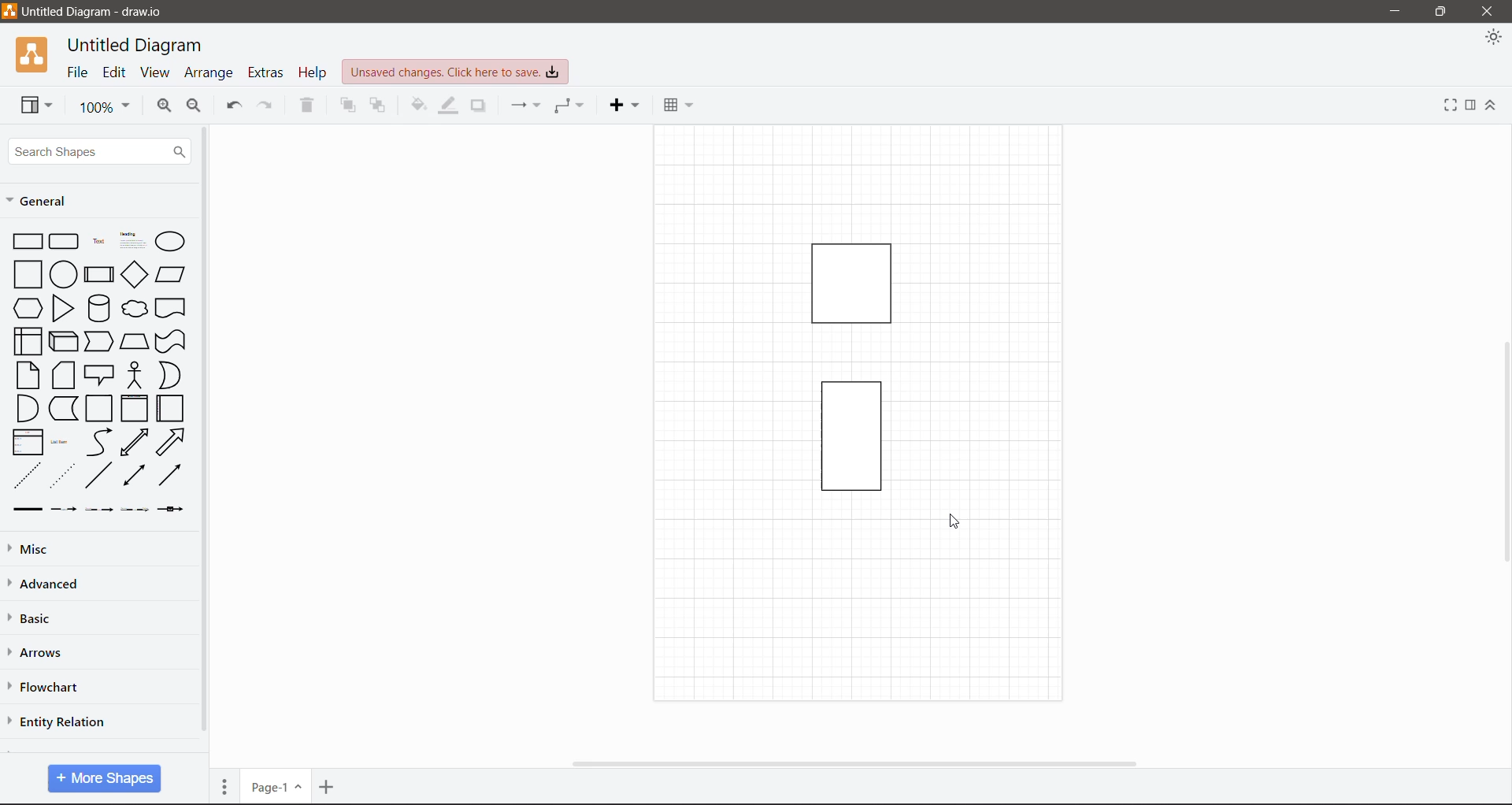 The width and height of the screenshot is (1512, 805). What do you see at coordinates (98, 150) in the screenshot?
I see `Search Shapes` at bounding box center [98, 150].